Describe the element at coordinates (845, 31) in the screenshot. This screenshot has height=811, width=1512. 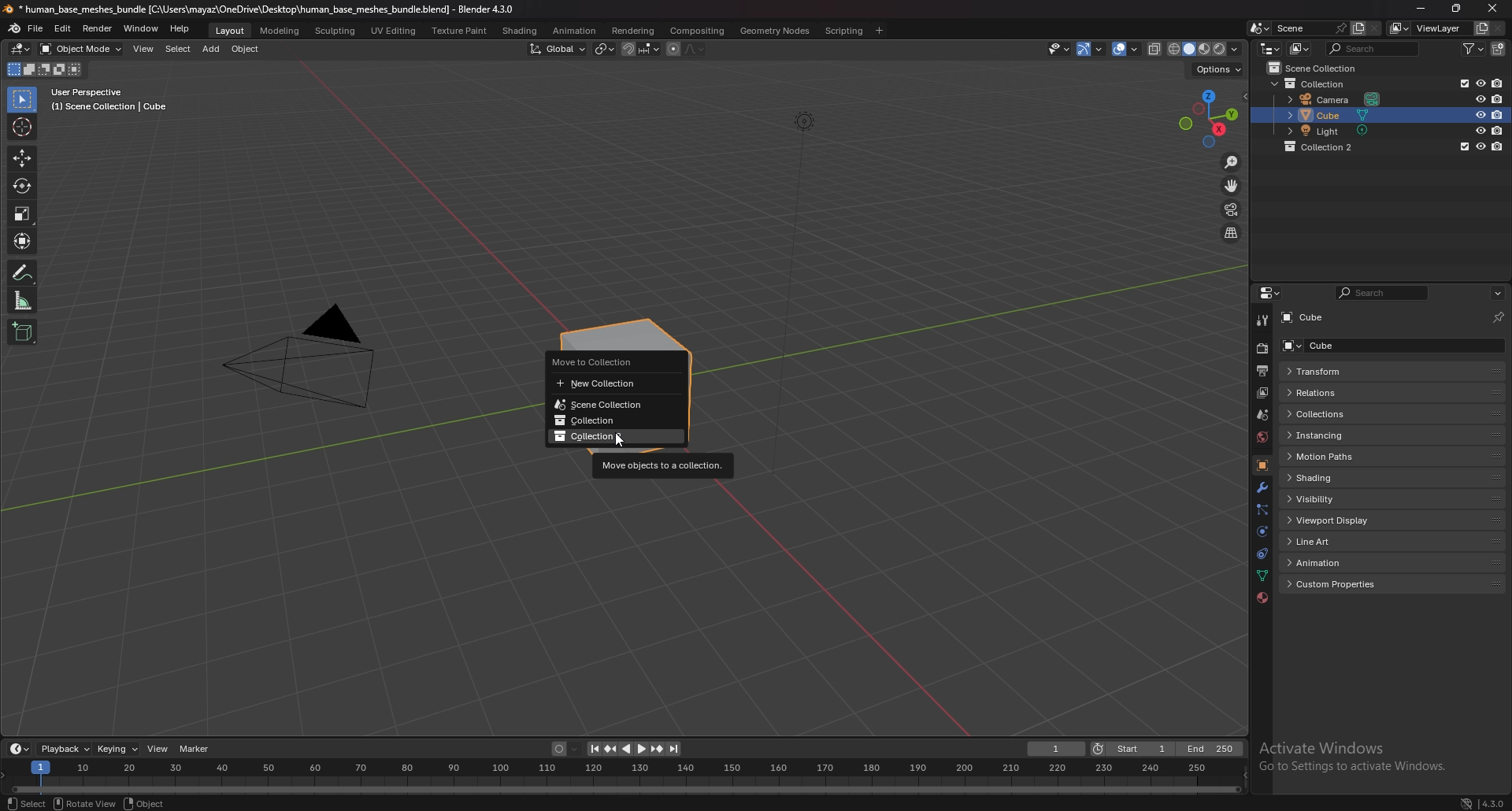
I see `scripting` at that location.